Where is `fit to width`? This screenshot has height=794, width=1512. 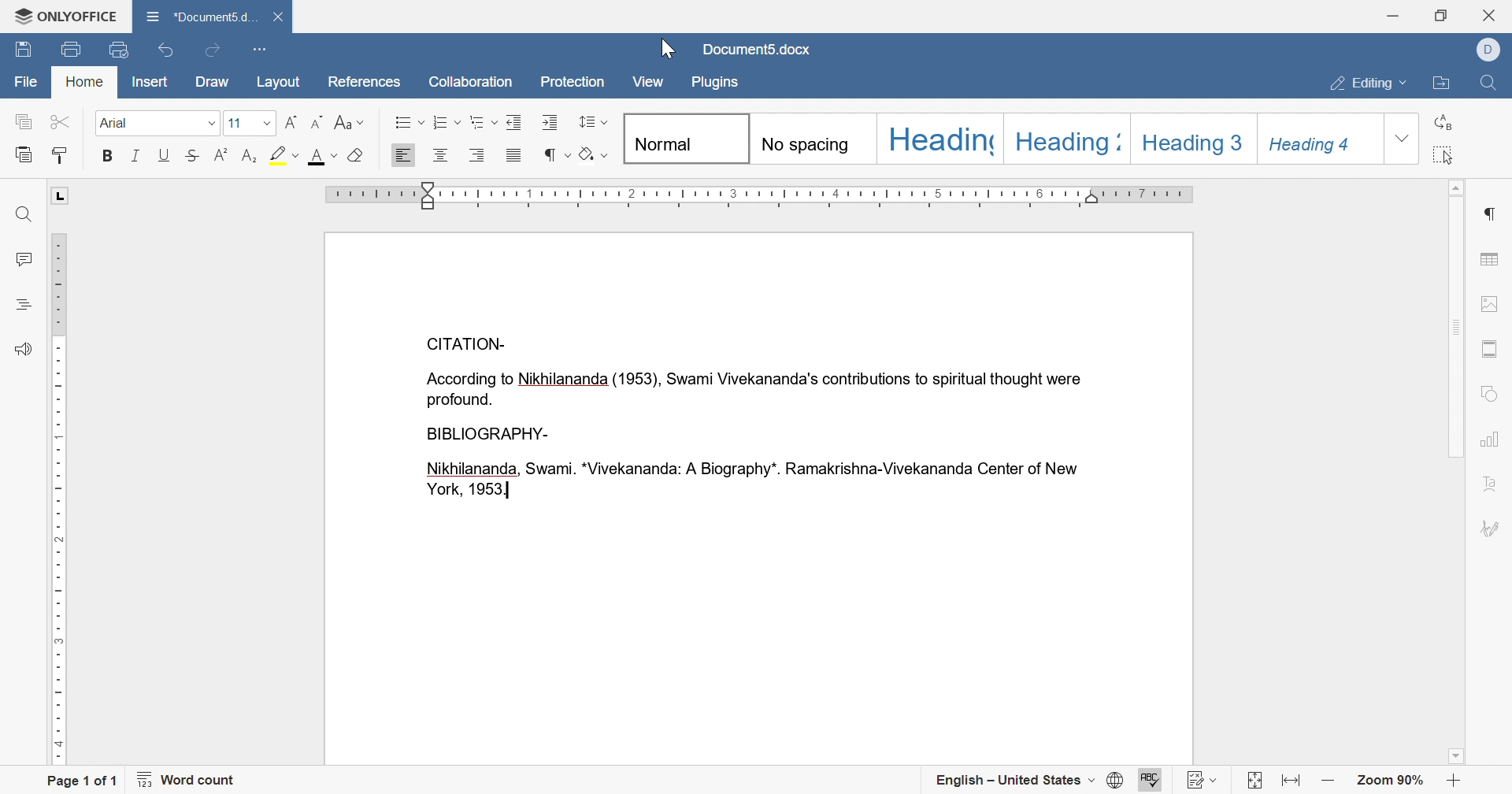
fit to width is located at coordinates (1289, 781).